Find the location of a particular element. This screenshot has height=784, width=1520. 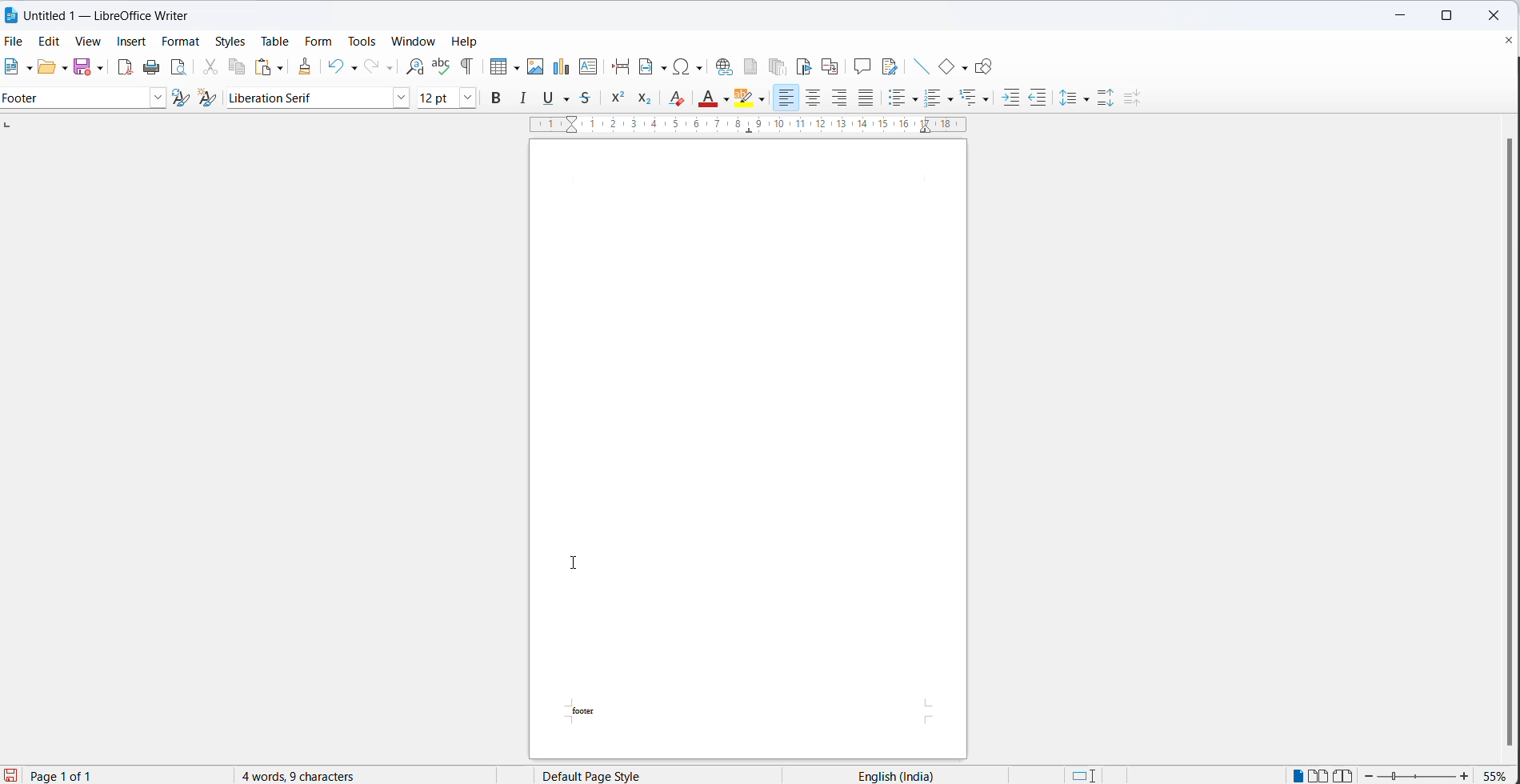

file options is located at coordinates (27, 70).